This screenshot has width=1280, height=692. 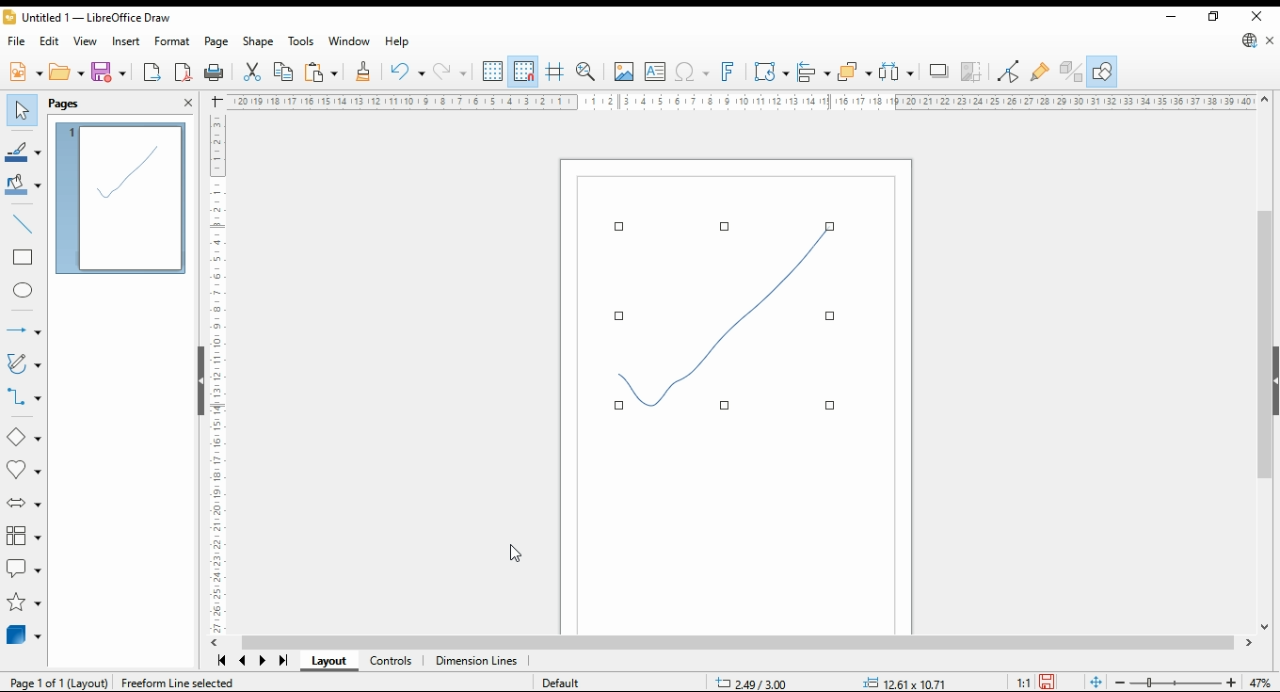 I want to click on zoom and pan, so click(x=586, y=73).